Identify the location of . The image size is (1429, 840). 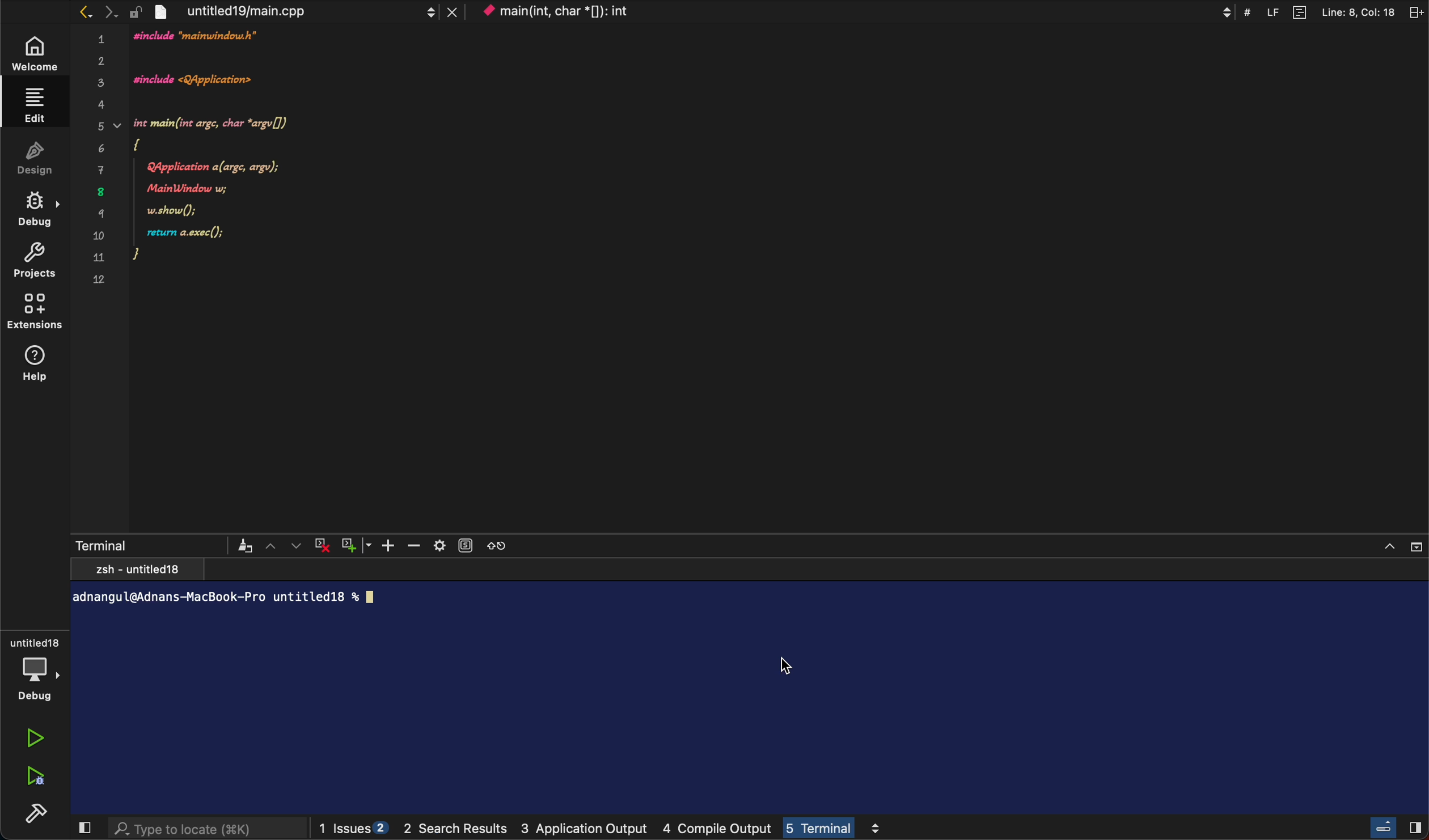
(1313, 11).